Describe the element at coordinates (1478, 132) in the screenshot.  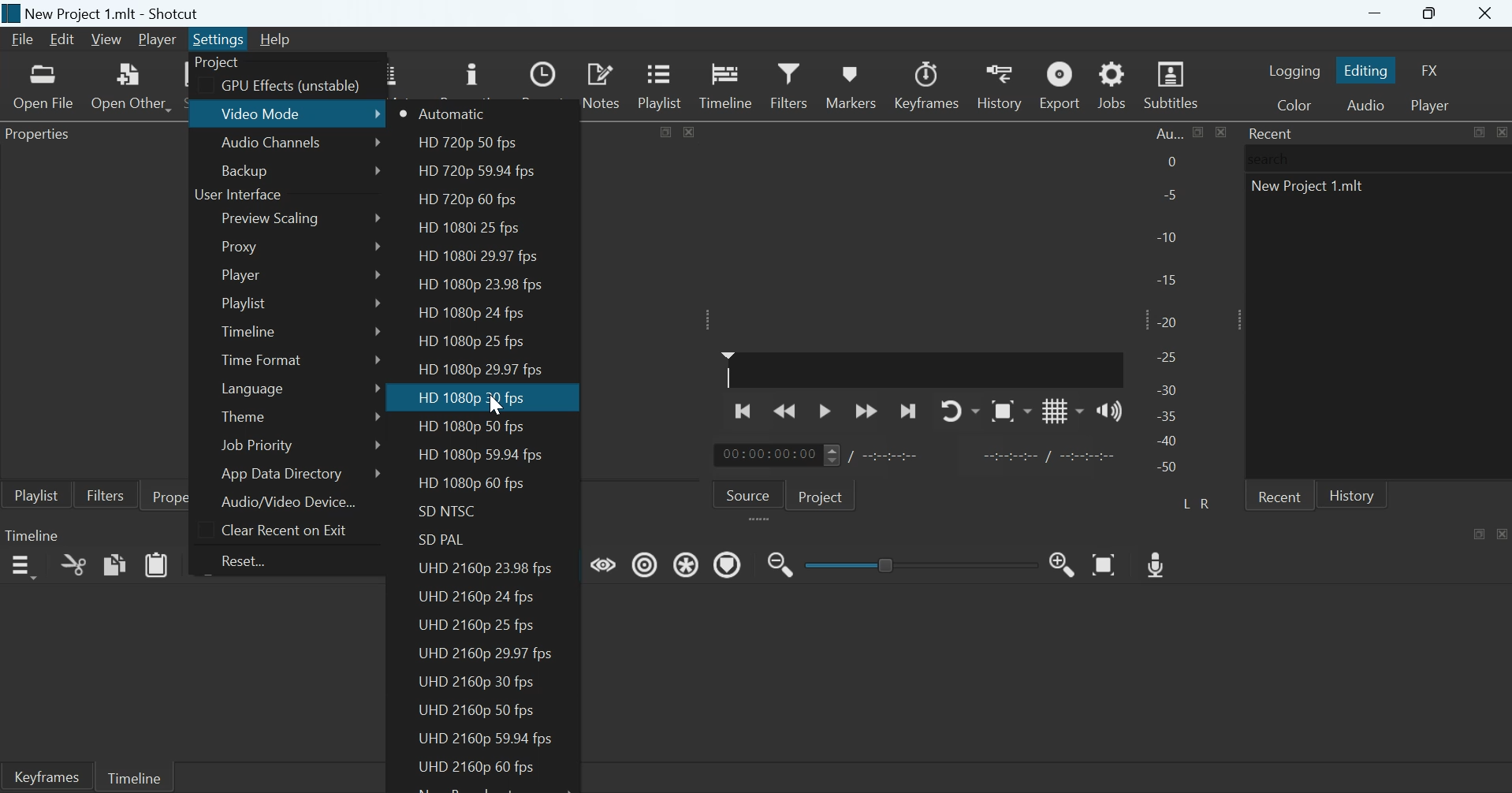
I see `Maximize` at that location.